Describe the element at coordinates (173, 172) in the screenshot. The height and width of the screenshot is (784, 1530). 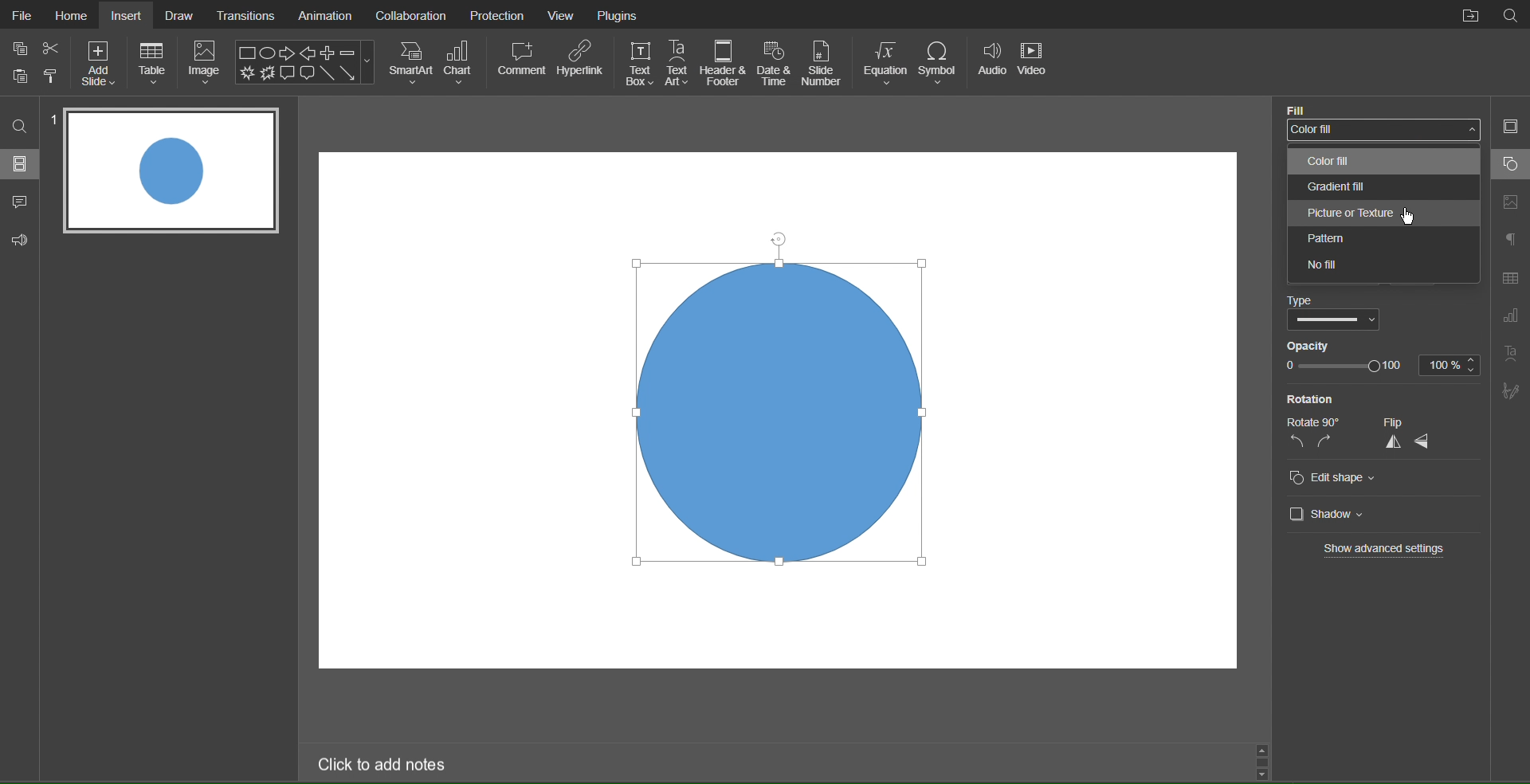
I see `Slide 1` at that location.